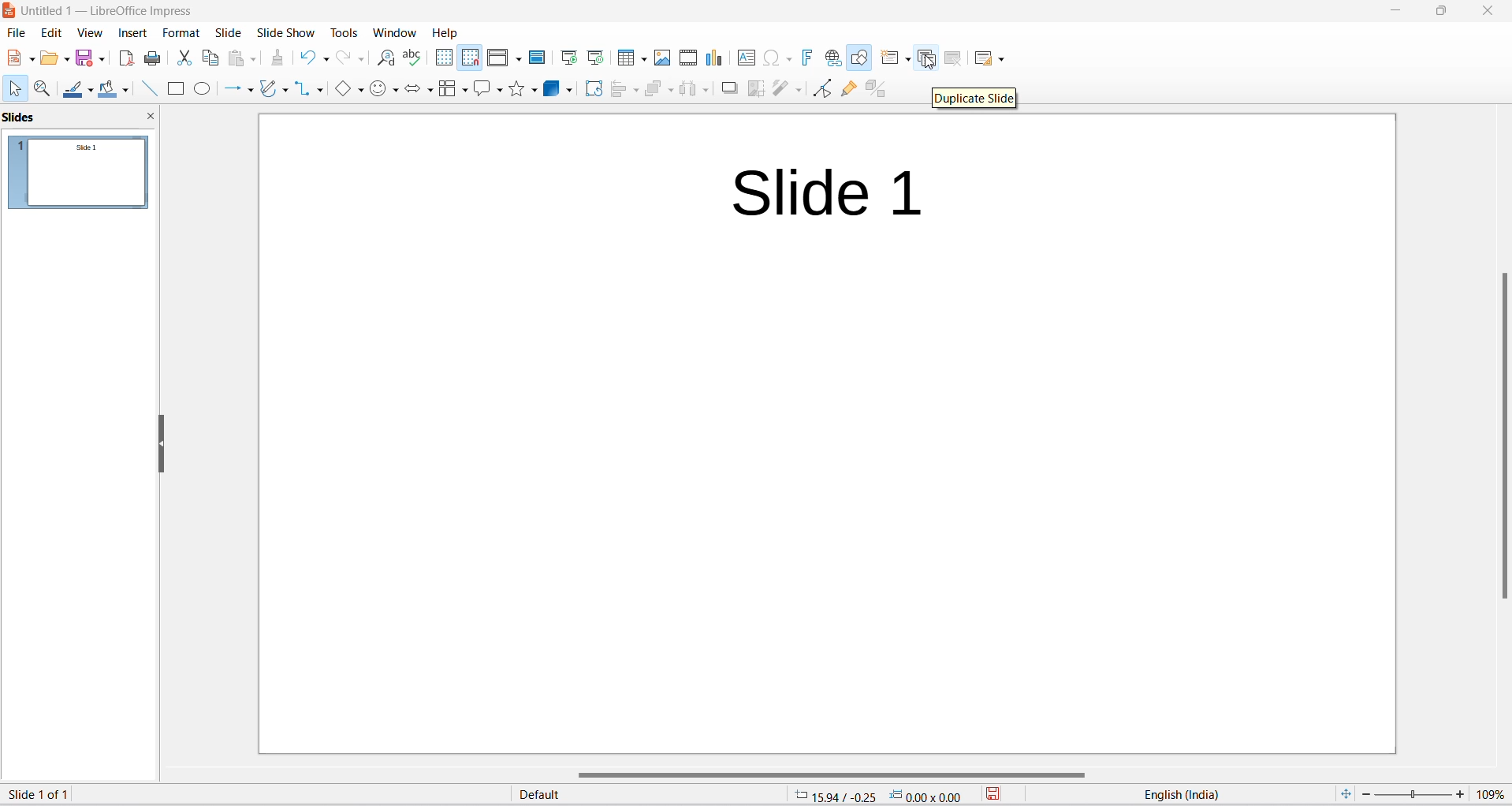 The height and width of the screenshot is (806, 1512). Describe the element at coordinates (778, 57) in the screenshot. I see `insert special characters` at that location.